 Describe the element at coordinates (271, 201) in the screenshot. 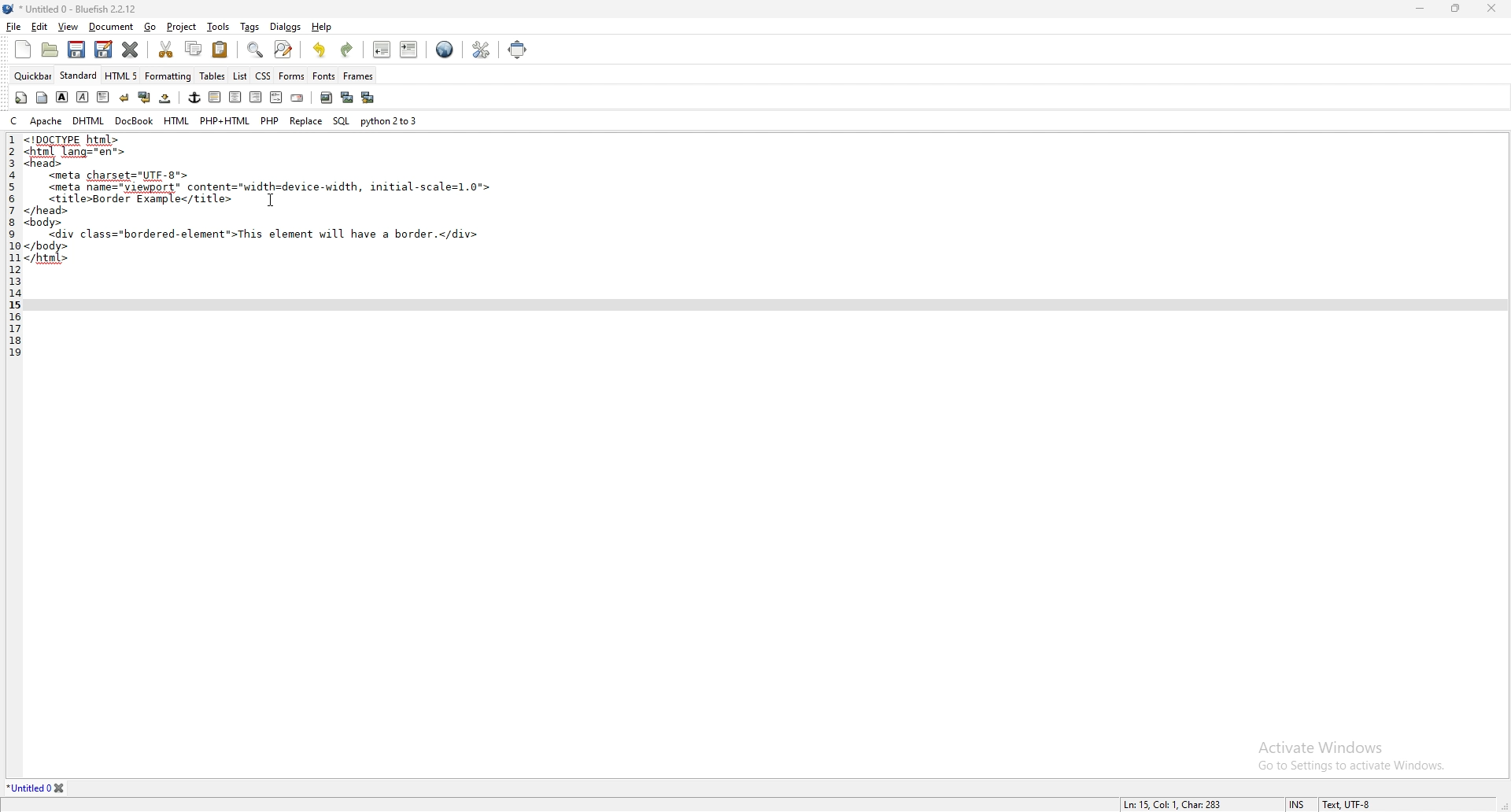

I see `Cursor` at that location.